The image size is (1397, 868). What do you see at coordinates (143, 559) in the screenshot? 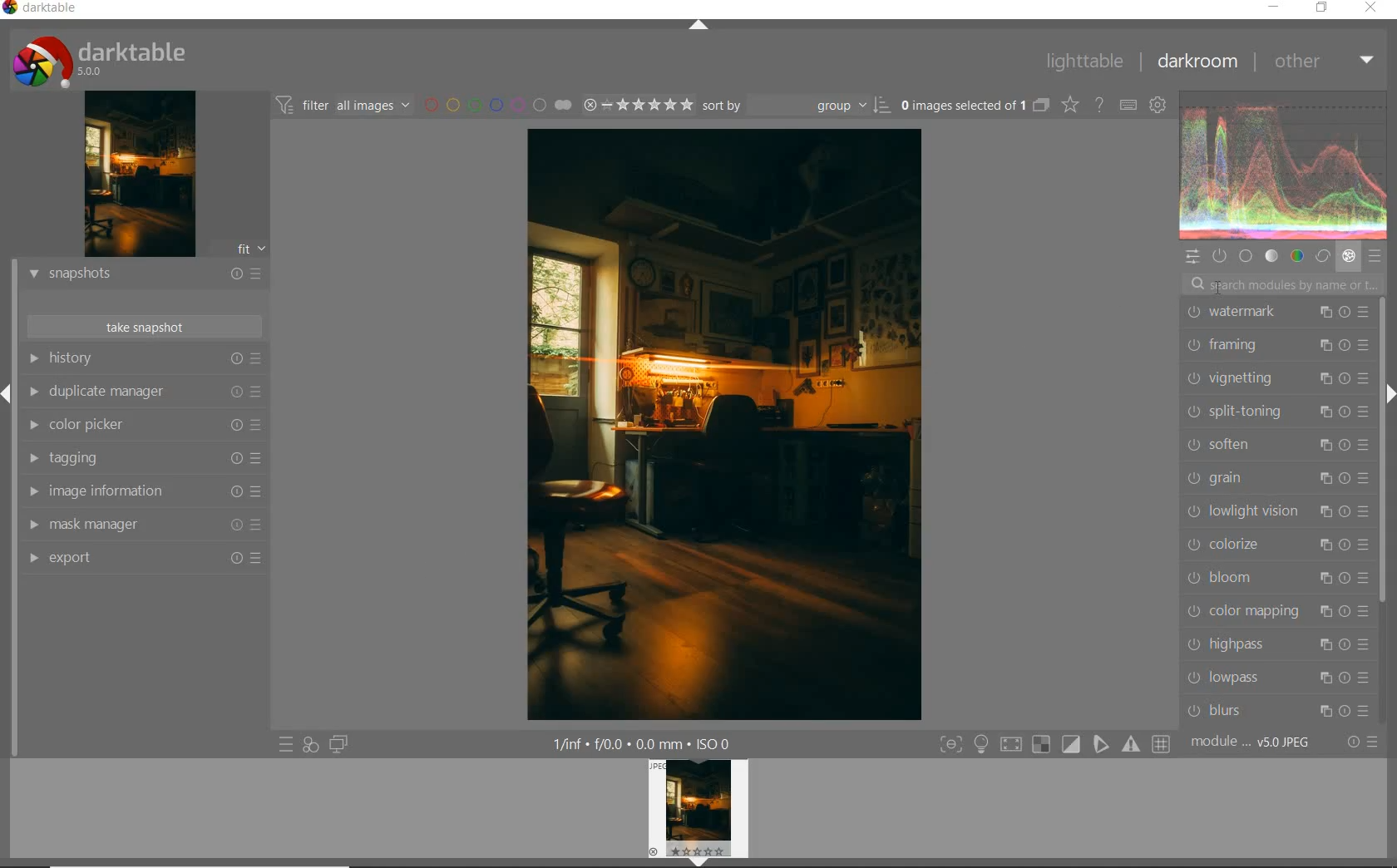
I see `export` at bounding box center [143, 559].